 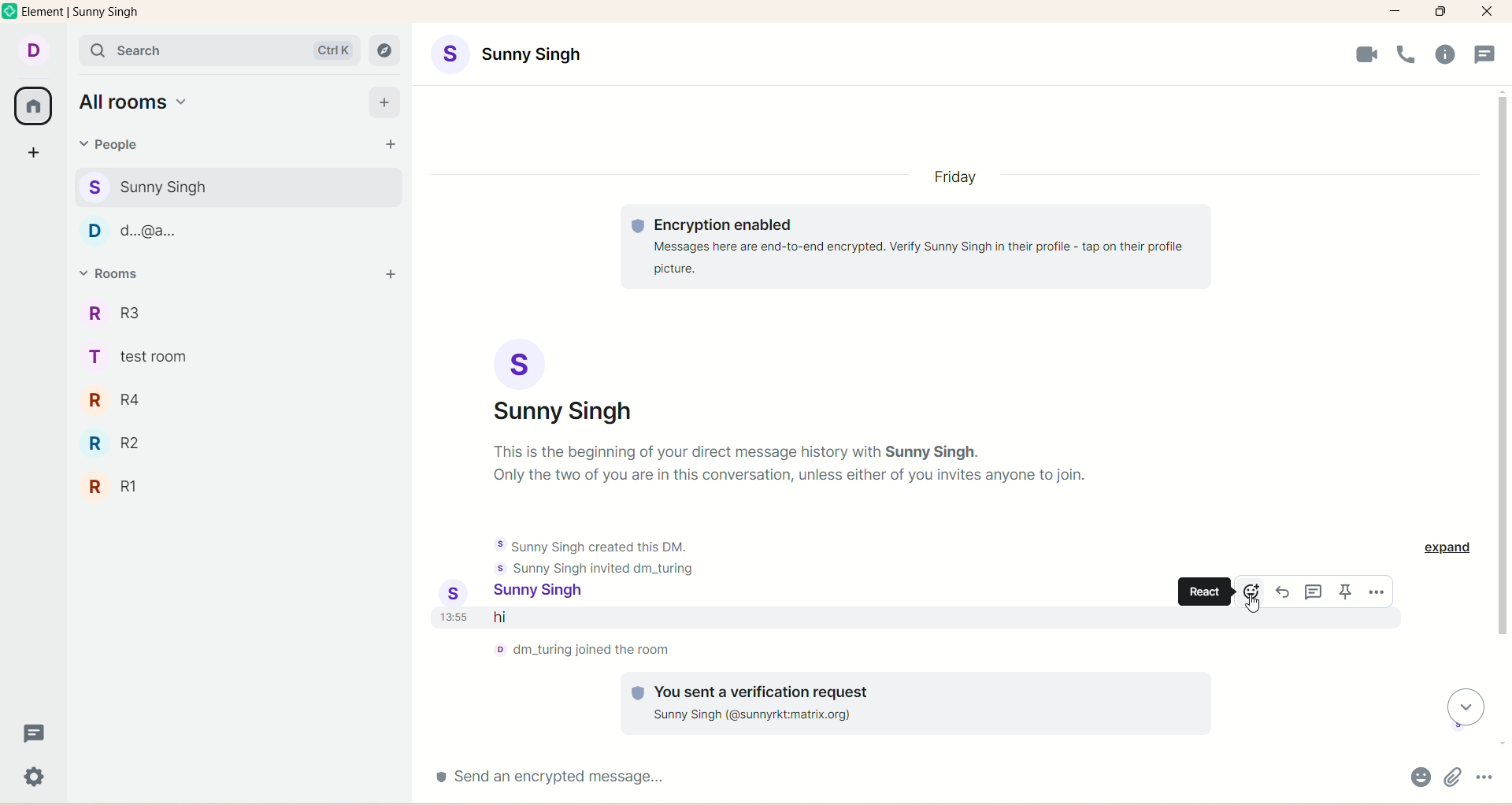 What do you see at coordinates (238, 187) in the screenshot?
I see `Sunny Singh chat` at bounding box center [238, 187].